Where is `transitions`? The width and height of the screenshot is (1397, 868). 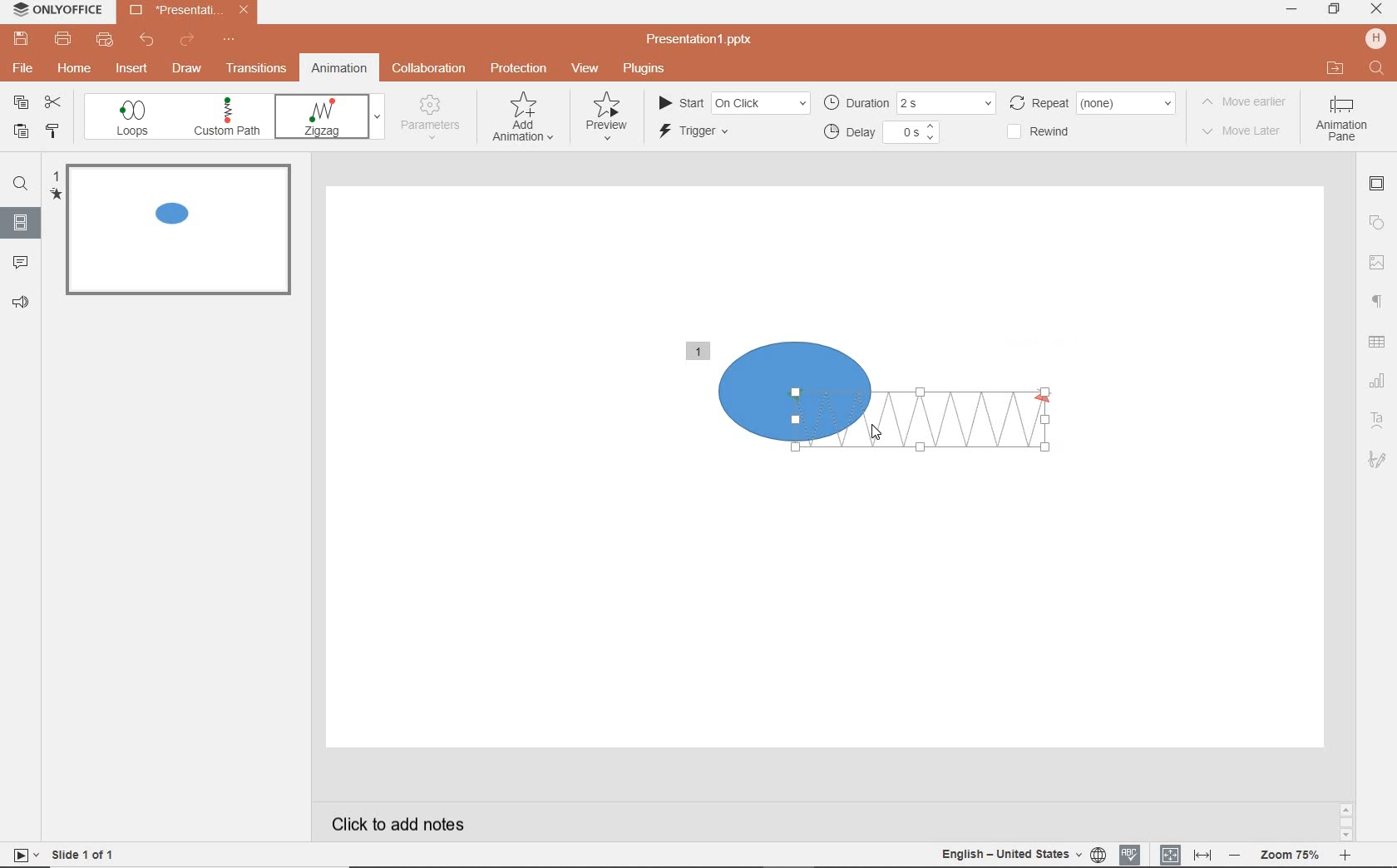 transitions is located at coordinates (256, 70).